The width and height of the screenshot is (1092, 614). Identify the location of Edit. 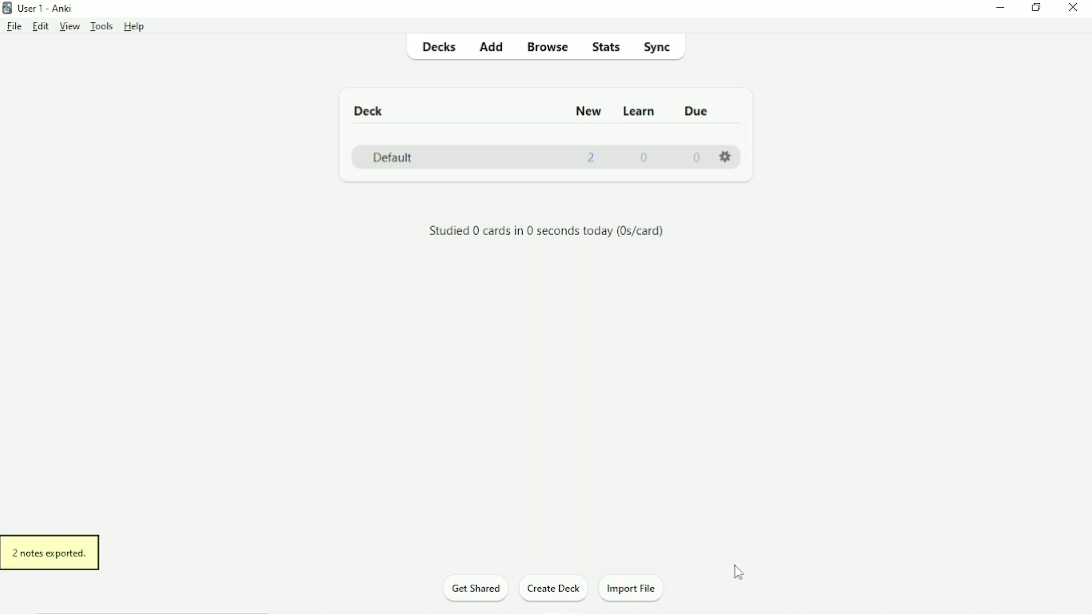
(40, 26).